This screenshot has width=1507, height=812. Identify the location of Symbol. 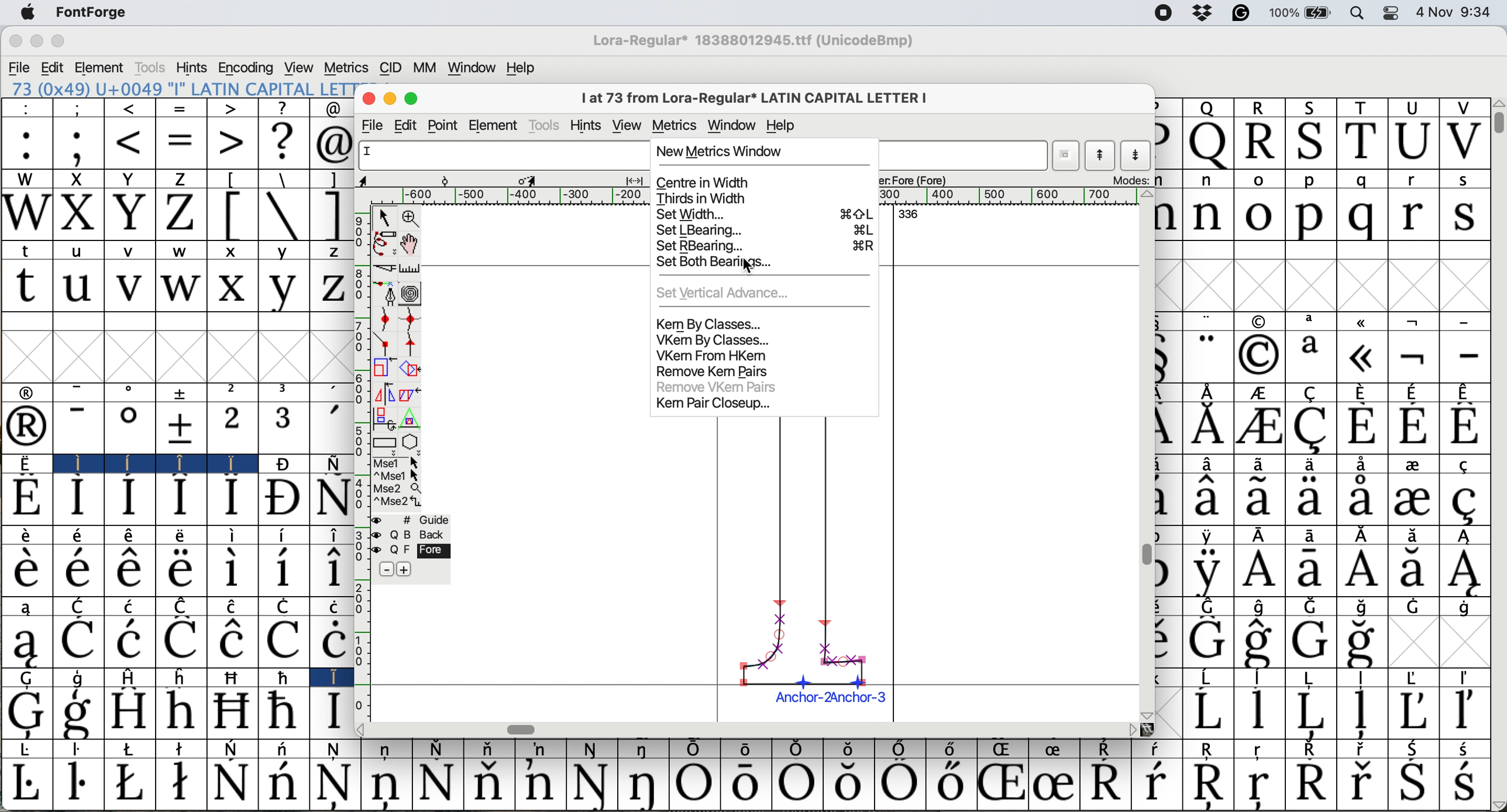
(592, 784).